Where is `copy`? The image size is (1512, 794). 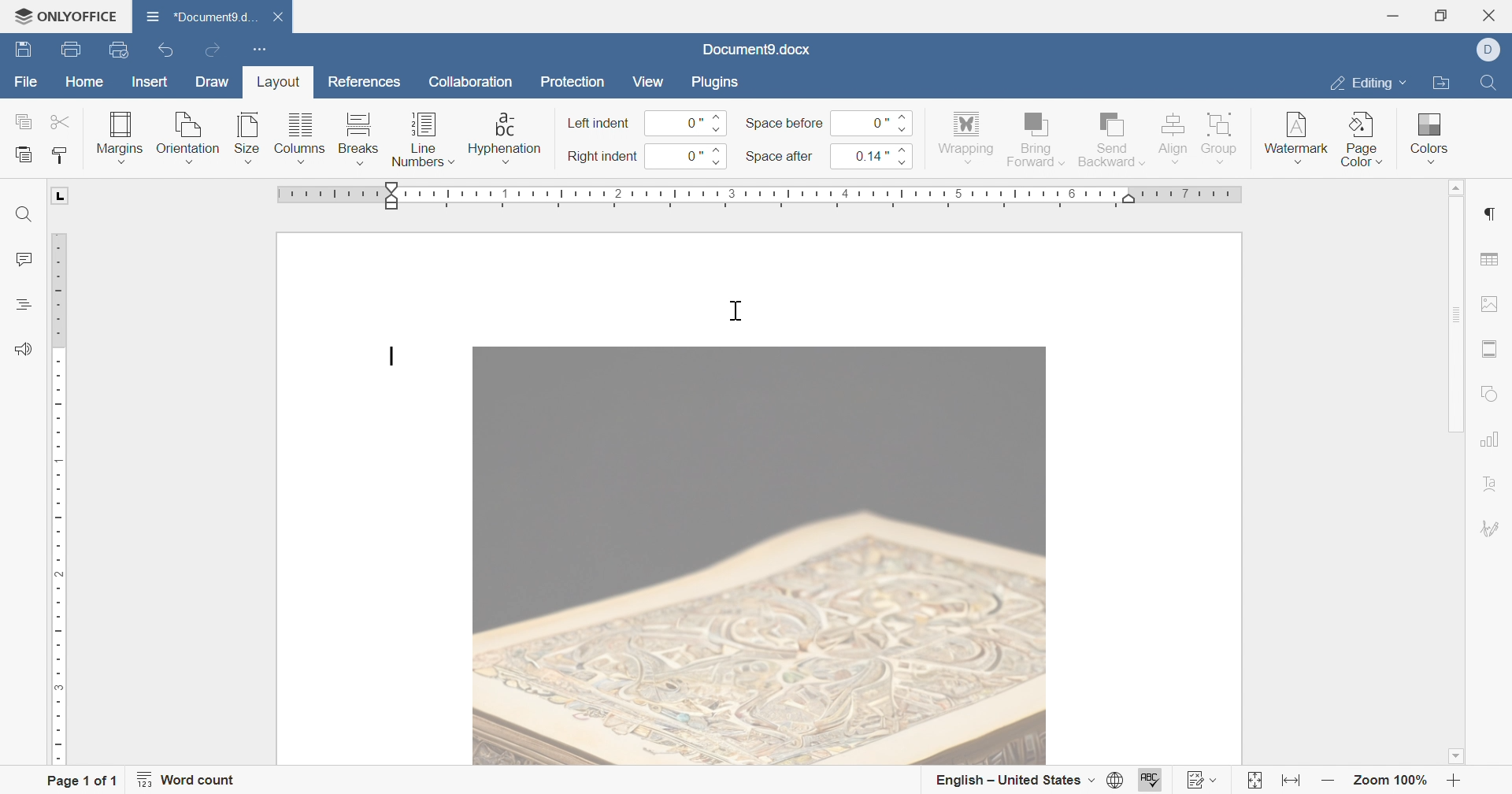 copy is located at coordinates (24, 121).